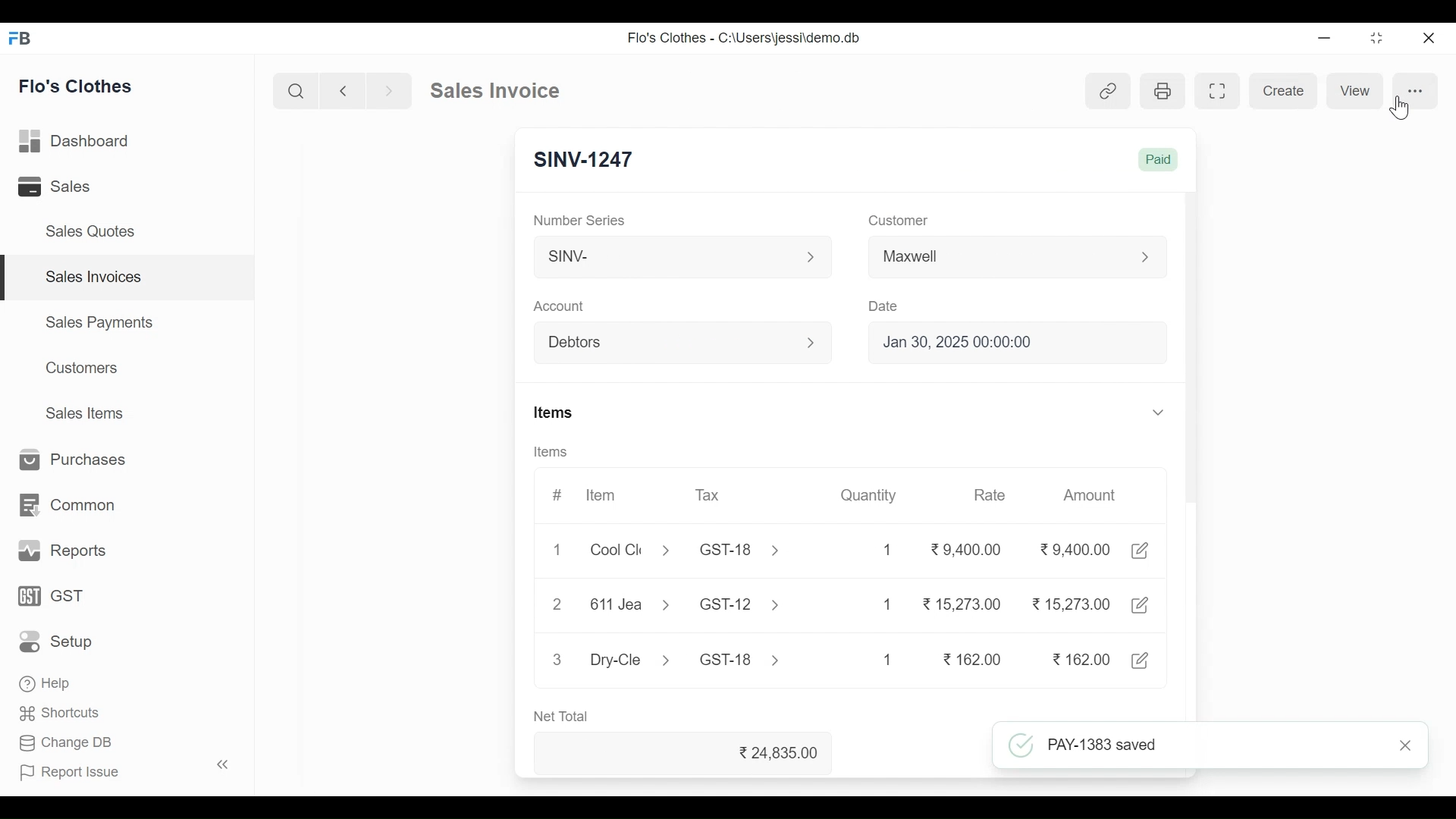 The height and width of the screenshot is (819, 1456). I want to click on Close tooltip, so click(1410, 745).